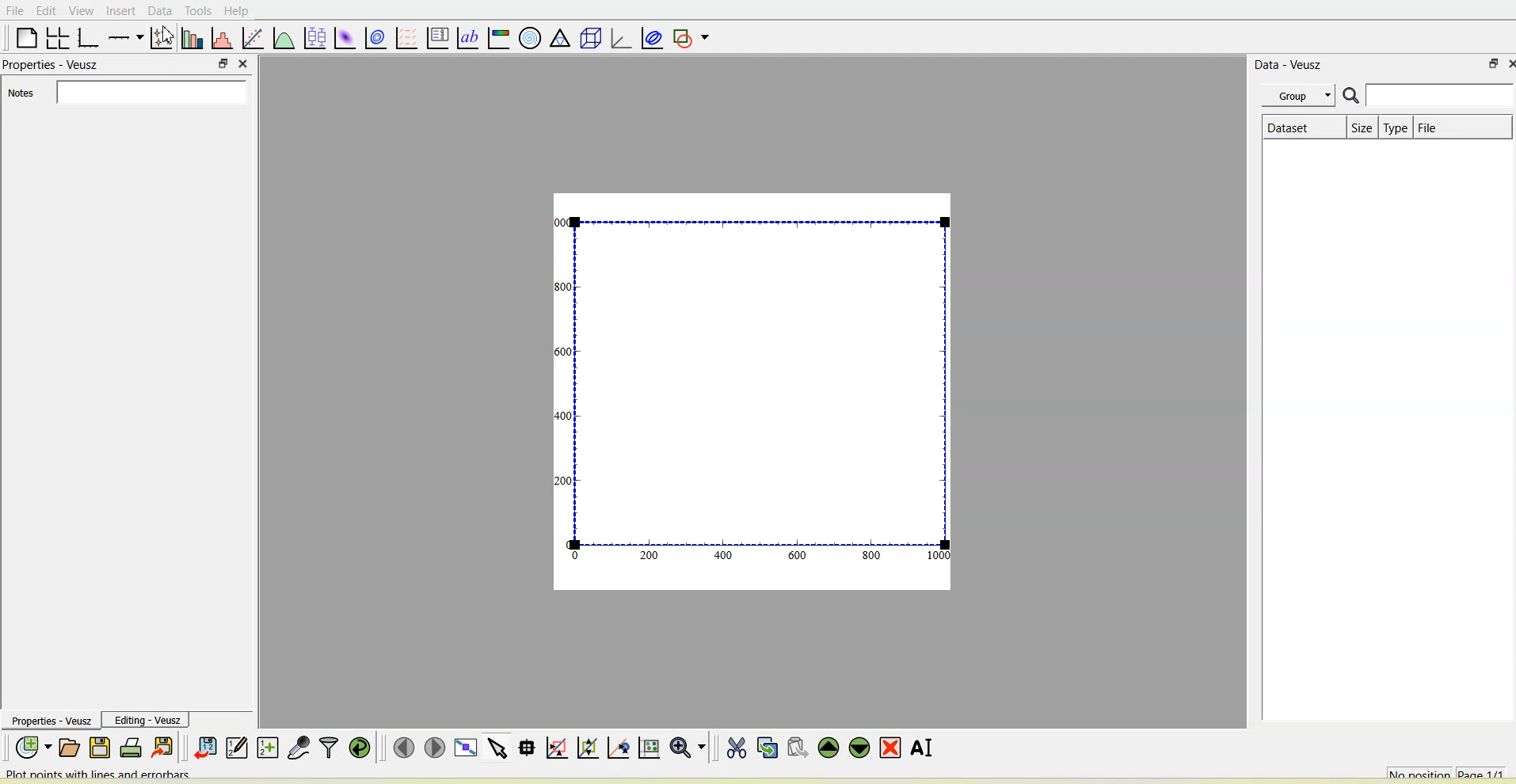  What do you see at coordinates (939, 556) in the screenshot?
I see `1000` at bounding box center [939, 556].